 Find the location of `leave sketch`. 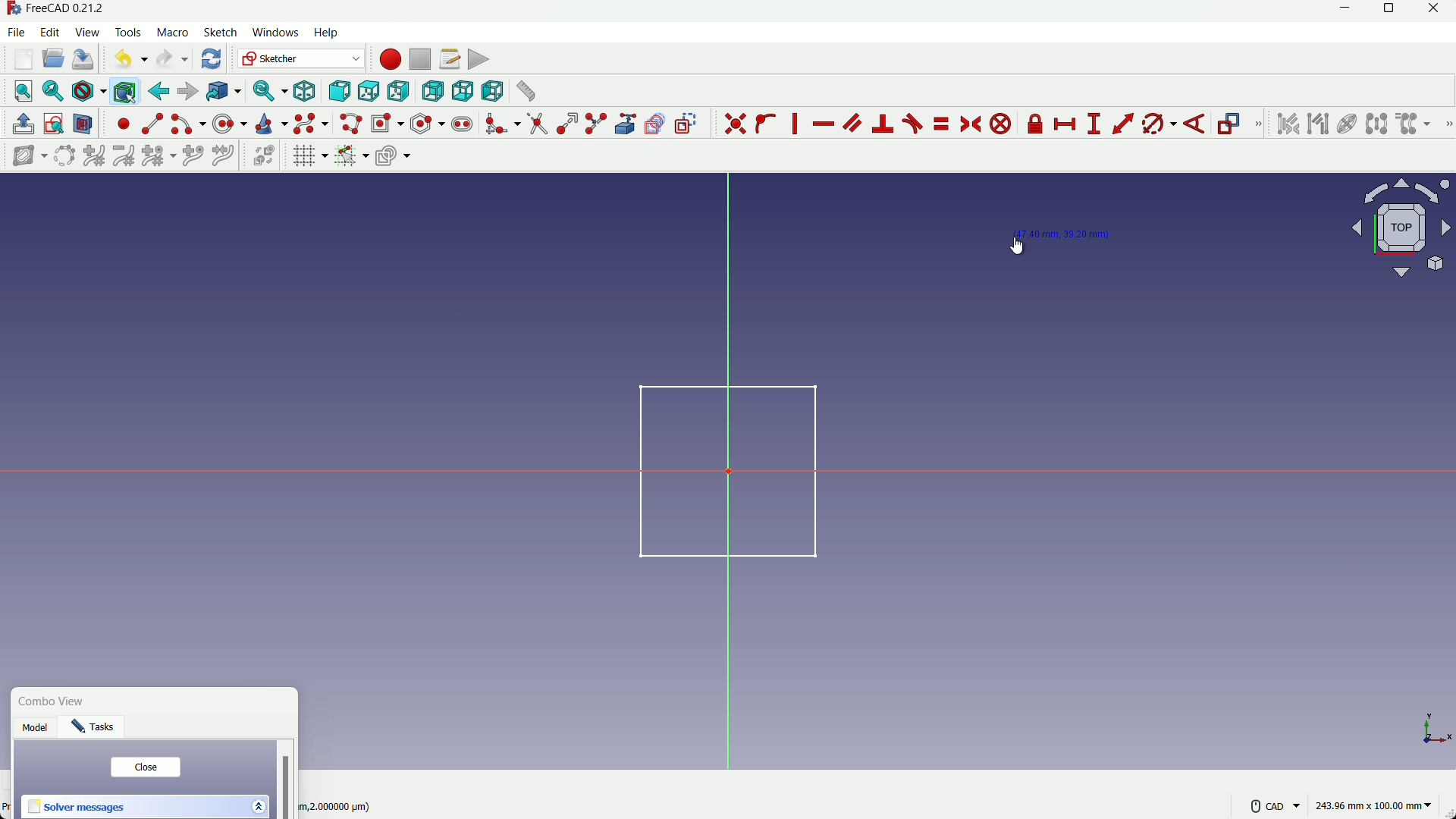

leave sketch is located at coordinates (24, 124).